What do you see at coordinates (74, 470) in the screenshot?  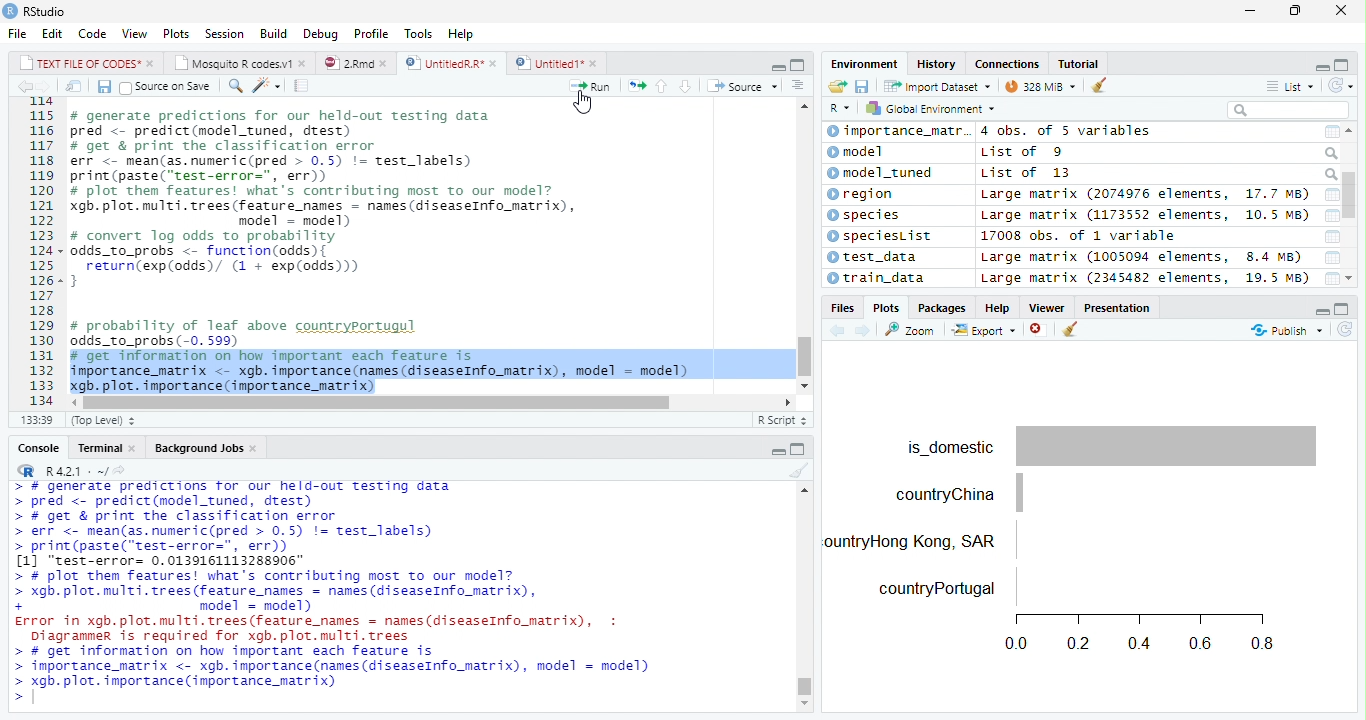 I see `R 4.2.1 .~/` at bounding box center [74, 470].